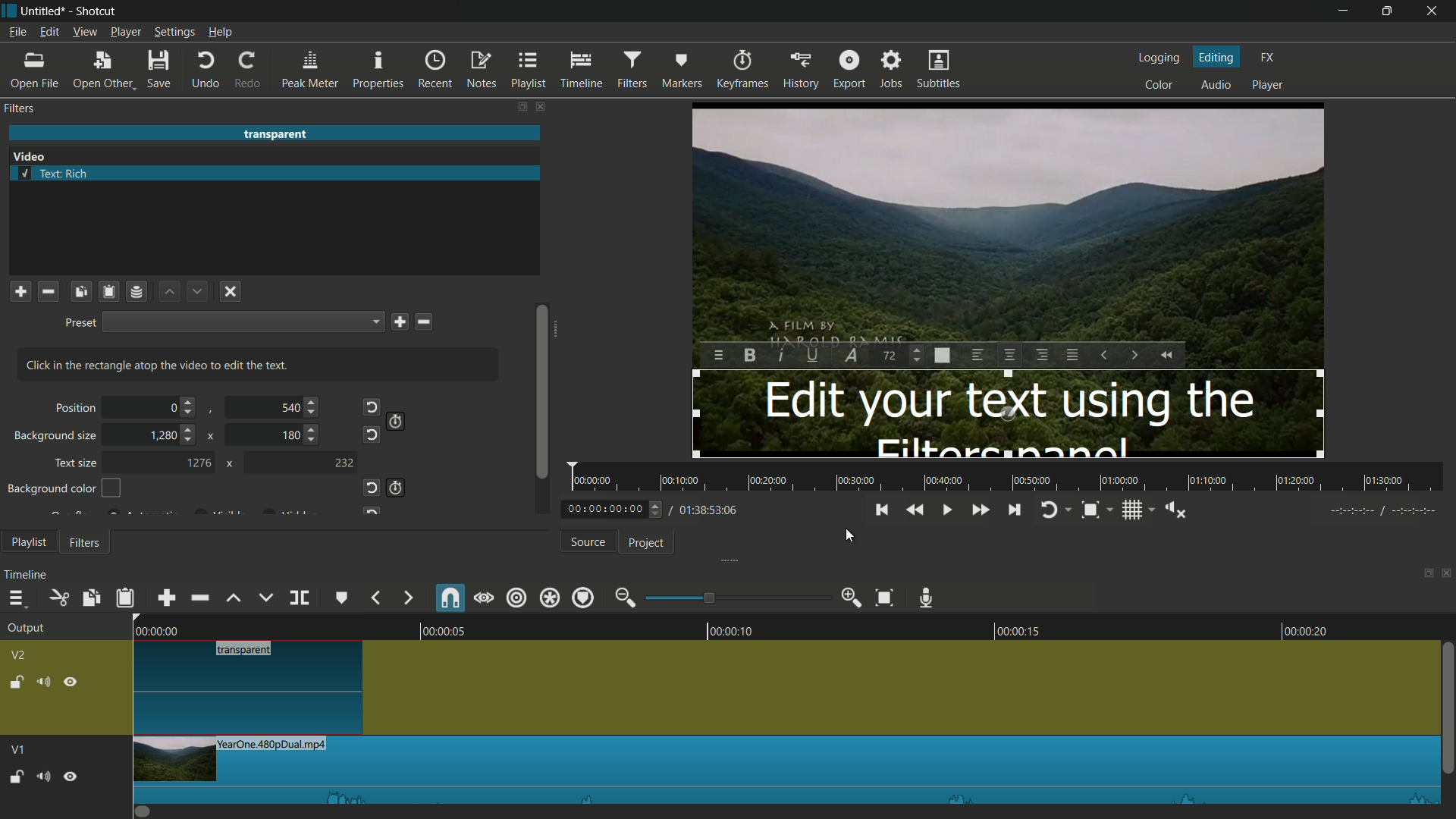 This screenshot has width=1456, height=819. I want to click on hide, so click(72, 680).